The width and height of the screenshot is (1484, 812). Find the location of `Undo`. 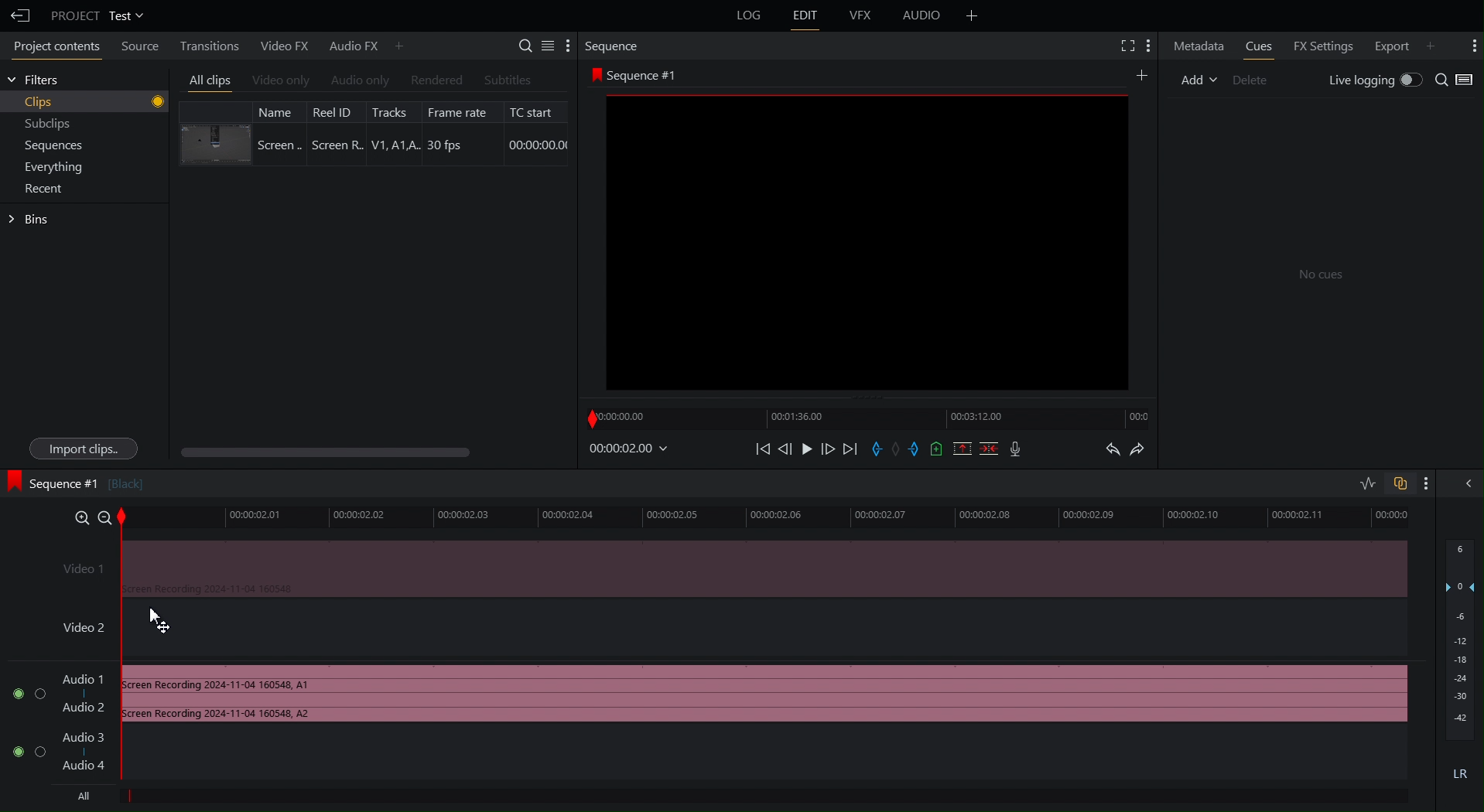

Undo is located at coordinates (1112, 450).